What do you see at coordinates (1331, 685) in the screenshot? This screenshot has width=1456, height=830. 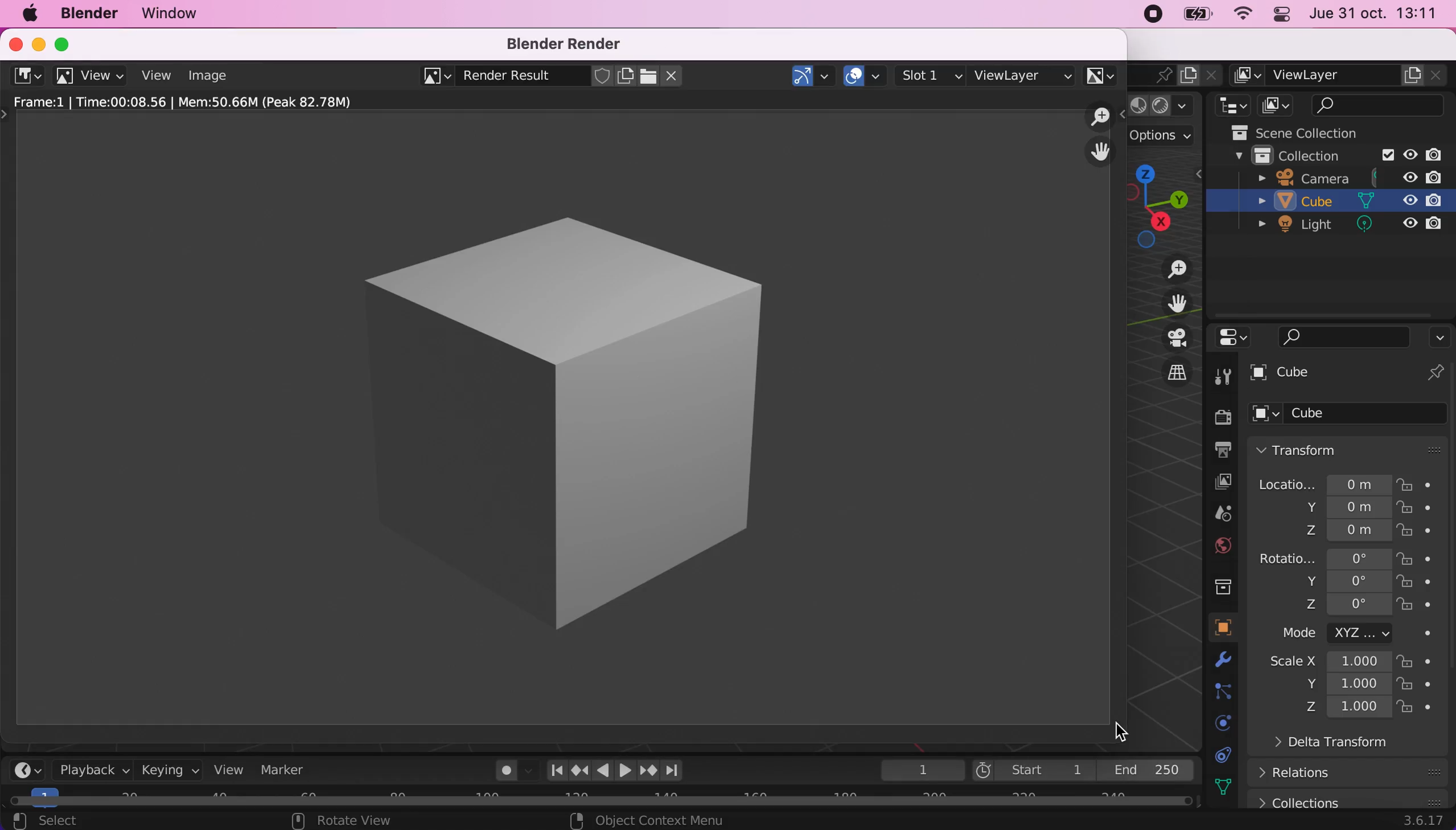 I see `scale measures` at bounding box center [1331, 685].